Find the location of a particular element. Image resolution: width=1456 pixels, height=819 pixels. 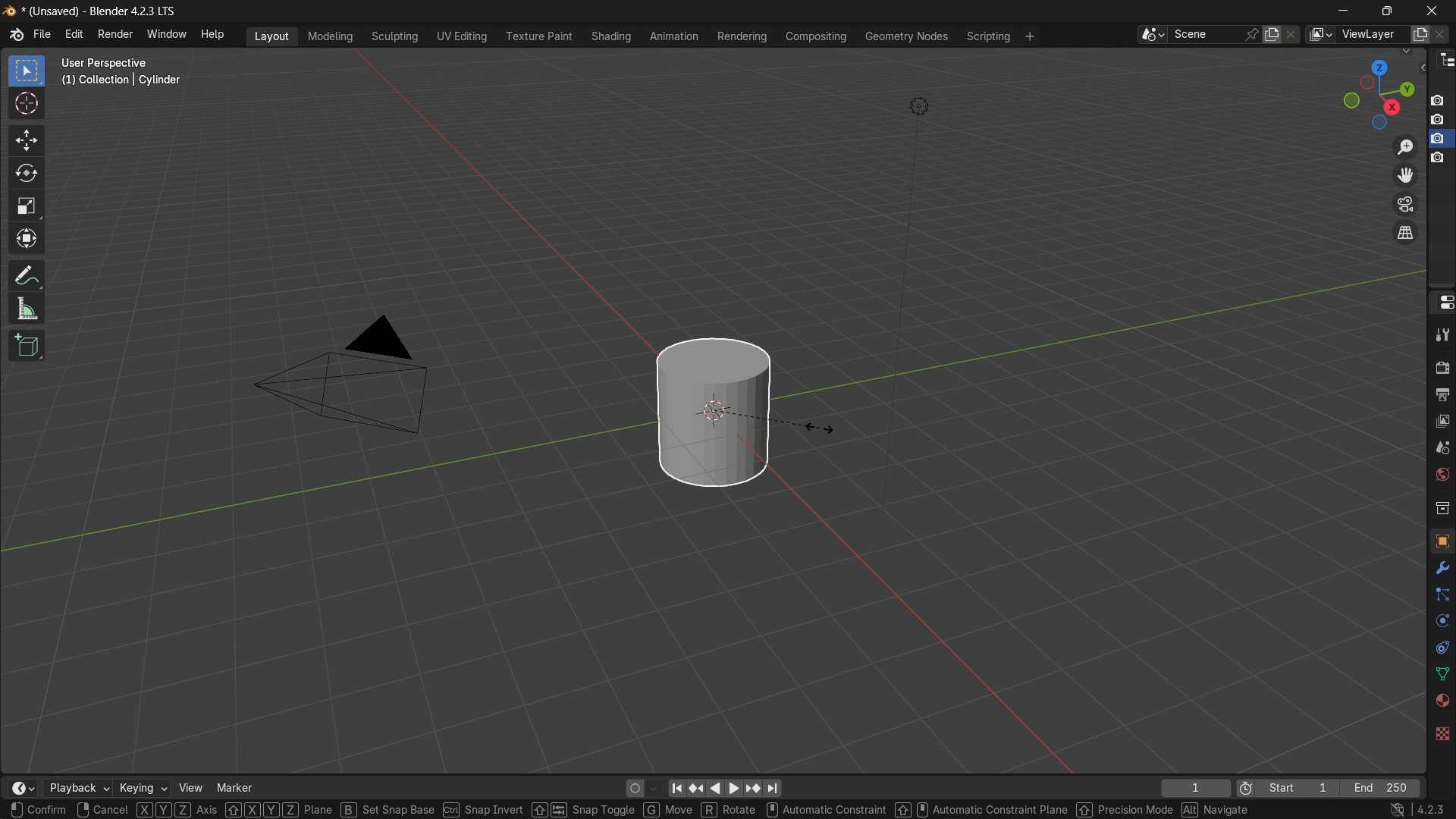

icon is located at coordinates (1246, 787).